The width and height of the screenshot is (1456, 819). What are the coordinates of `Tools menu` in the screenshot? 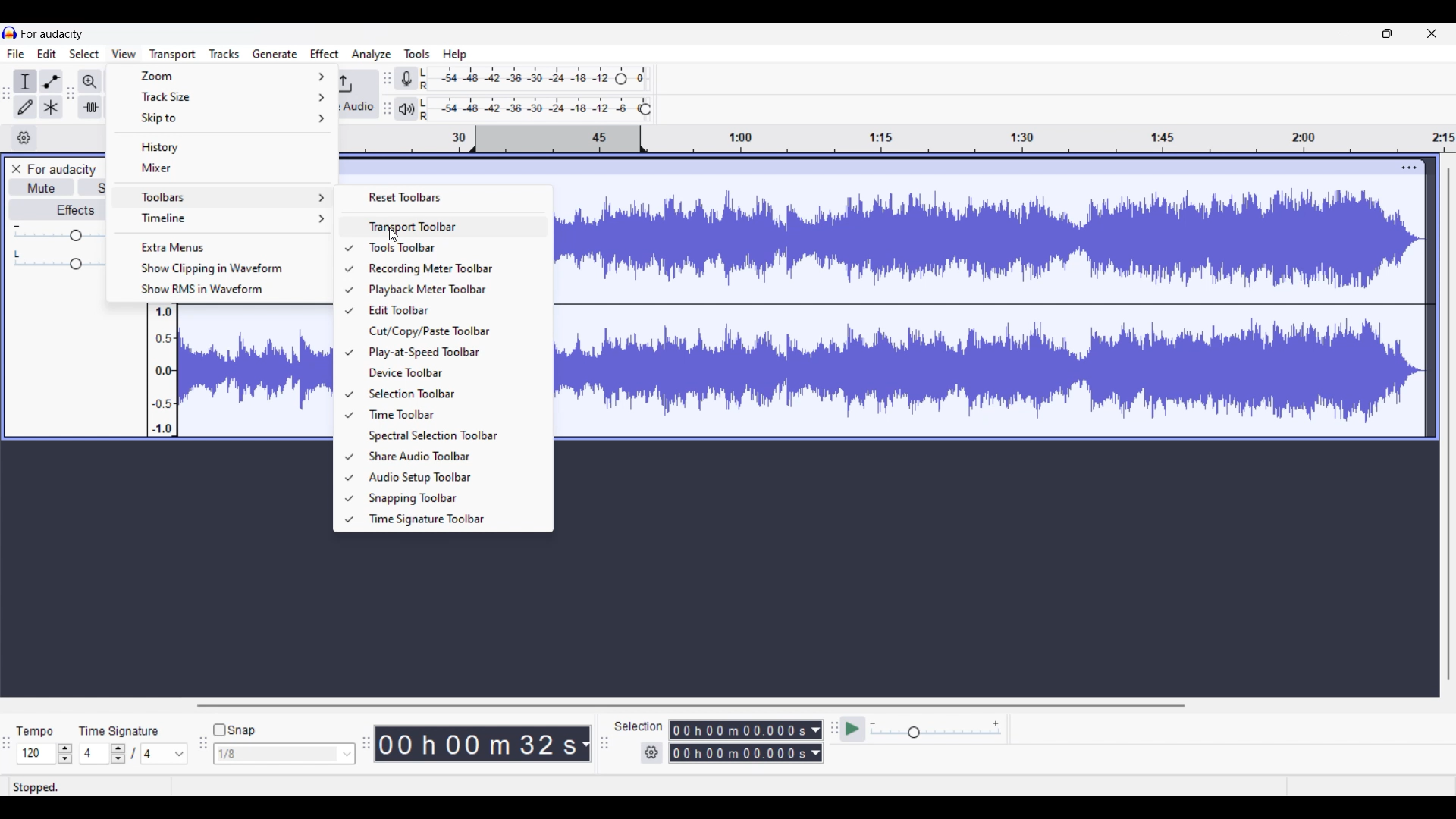 It's located at (418, 54).